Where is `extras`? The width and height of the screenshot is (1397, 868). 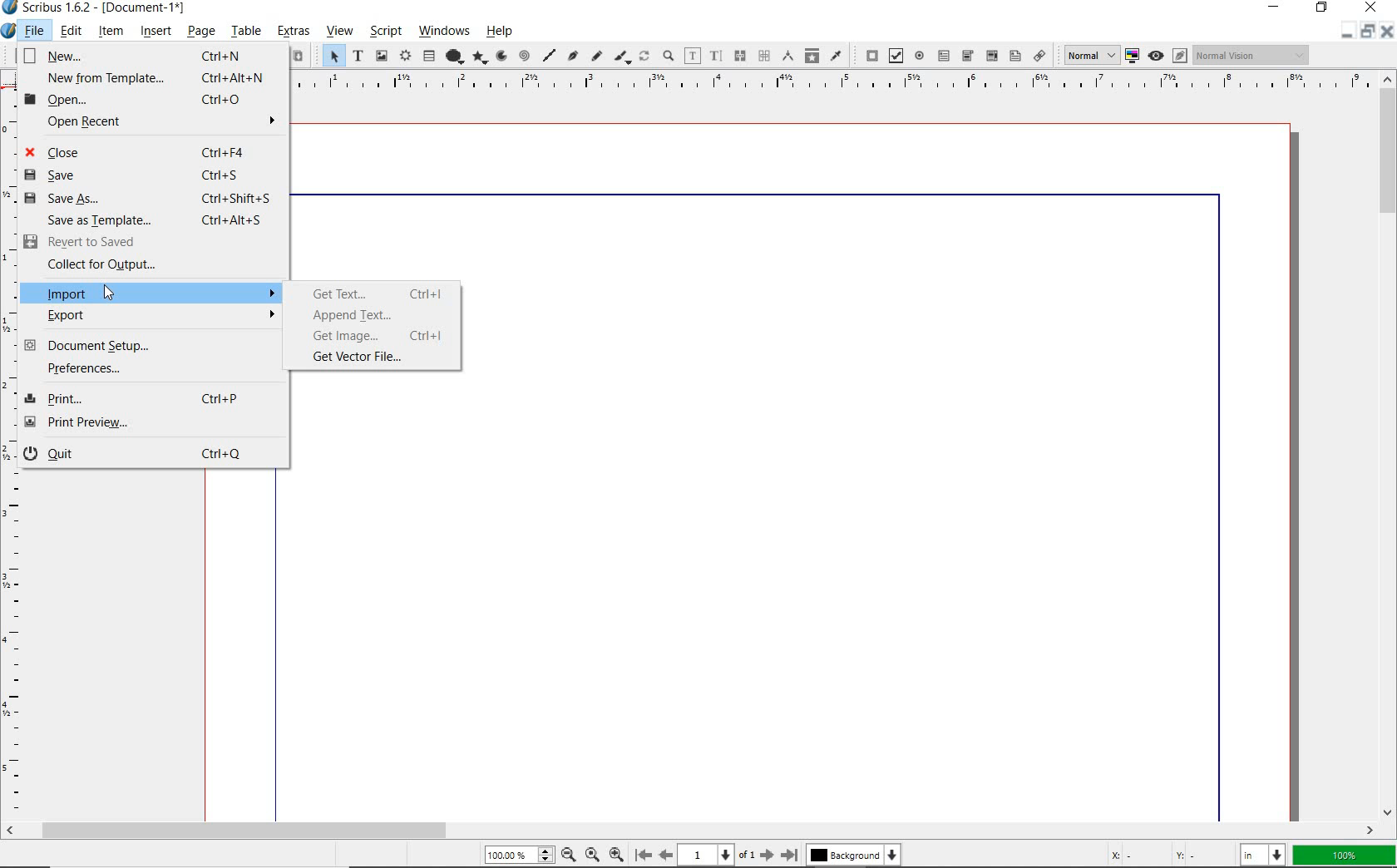 extras is located at coordinates (293, 31).